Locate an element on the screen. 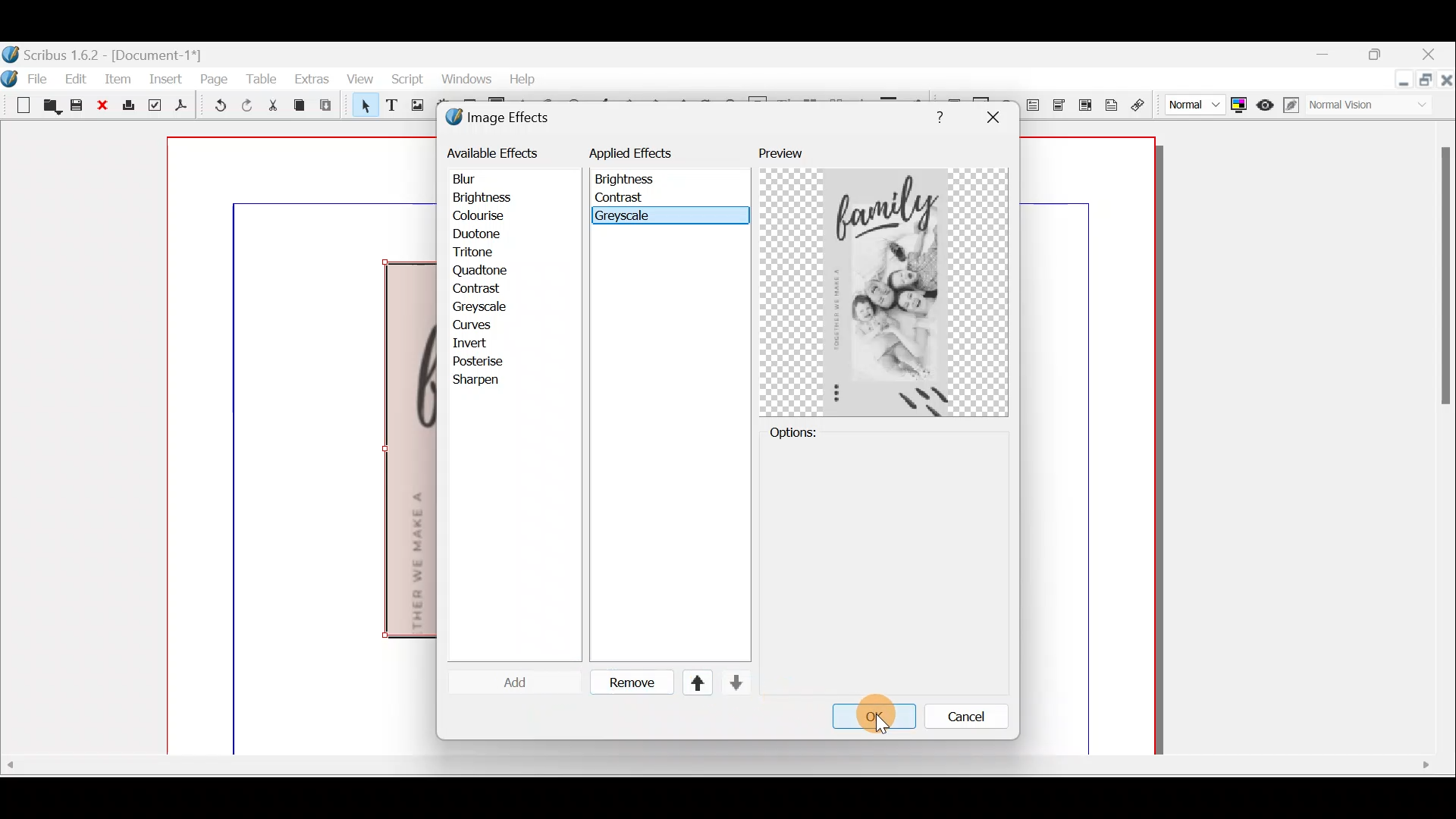 The width and height of the screenshot is (1456, 819). Close is located at coordinates (1446, 81).